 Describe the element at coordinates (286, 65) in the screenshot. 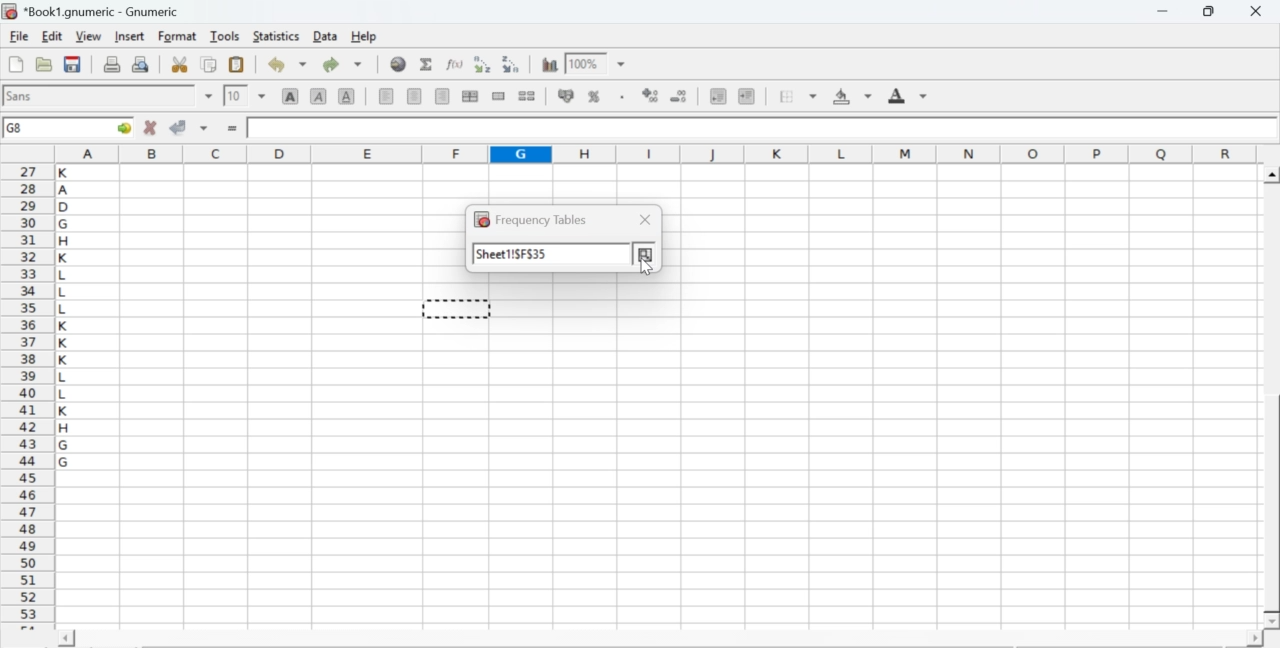

I see `undo` at that location.